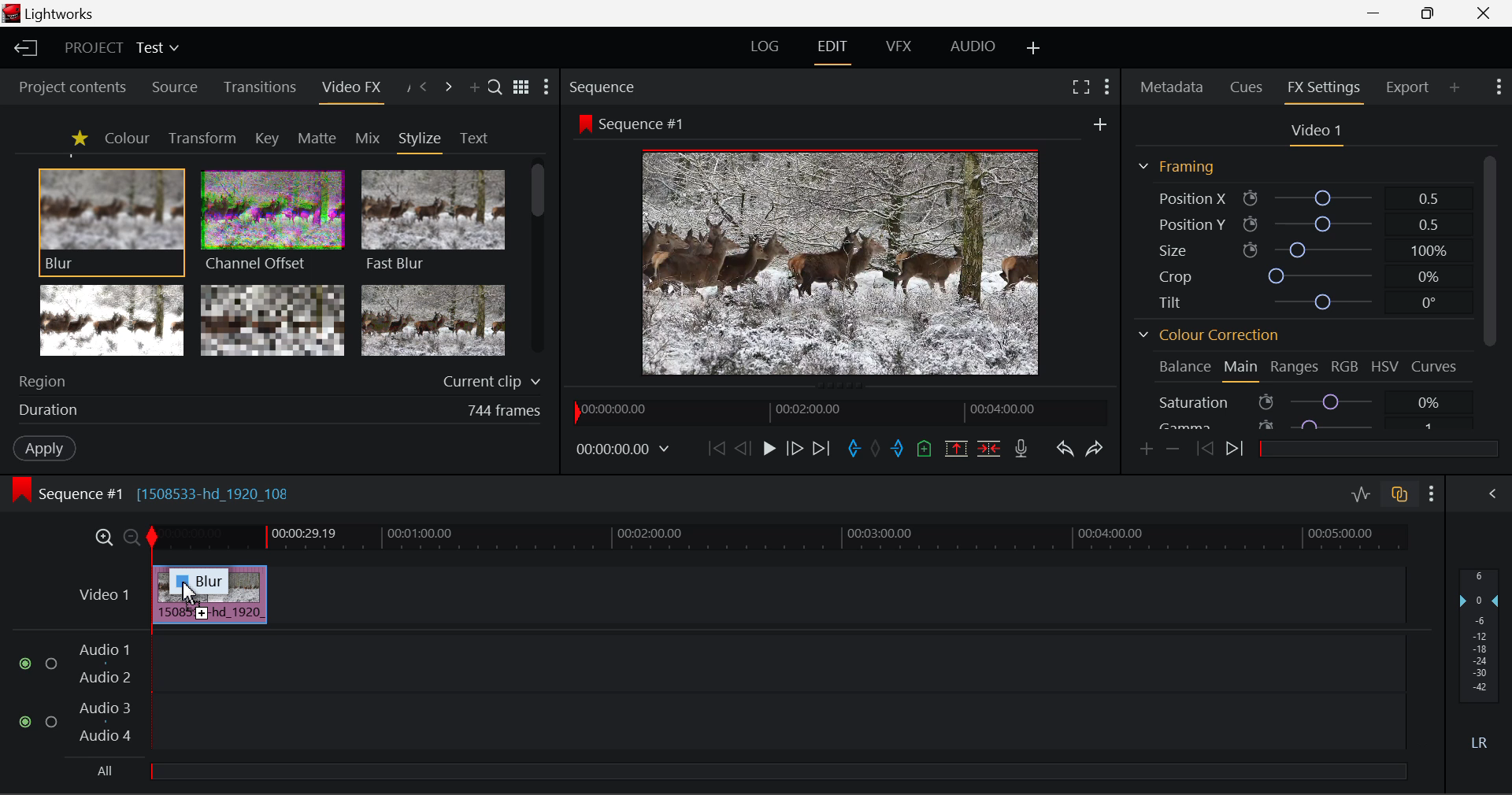 The image size is (1512, 795). I want to click on Show Settings, so click(1432, 491).